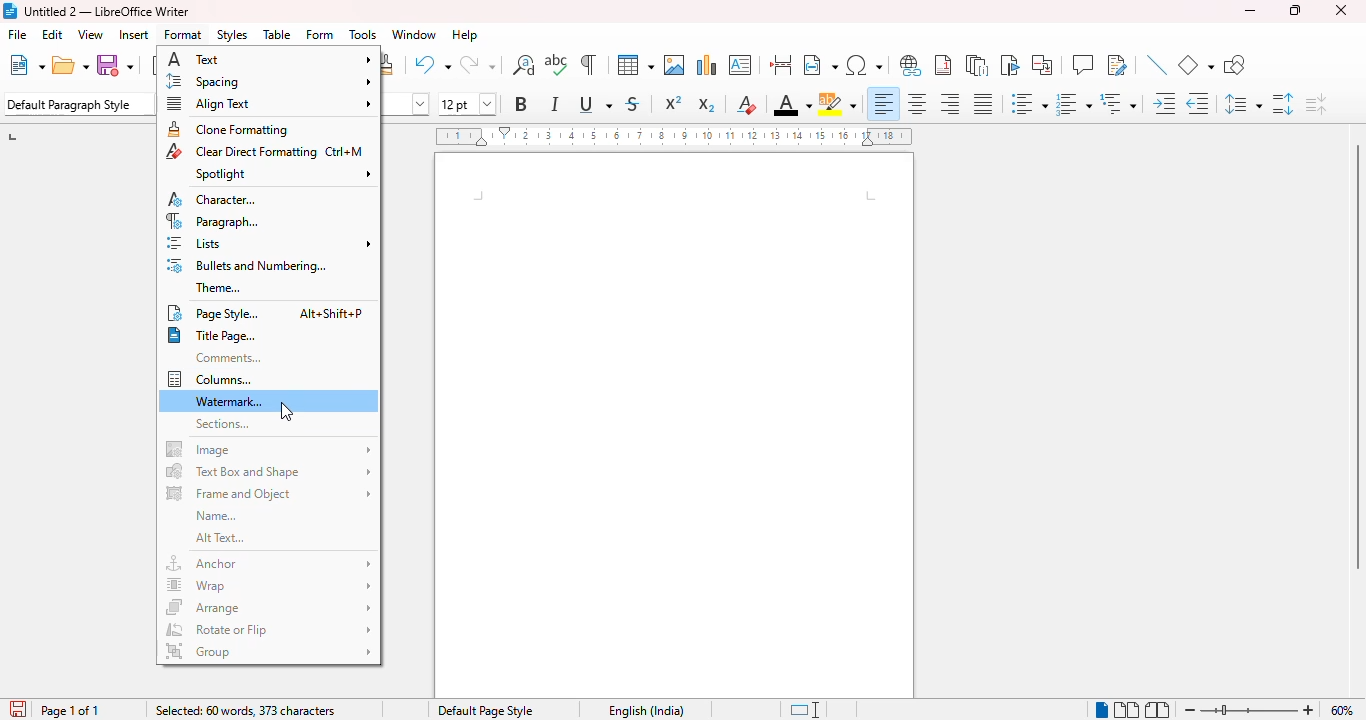  I want to click on insert text box, so click(740, 65).